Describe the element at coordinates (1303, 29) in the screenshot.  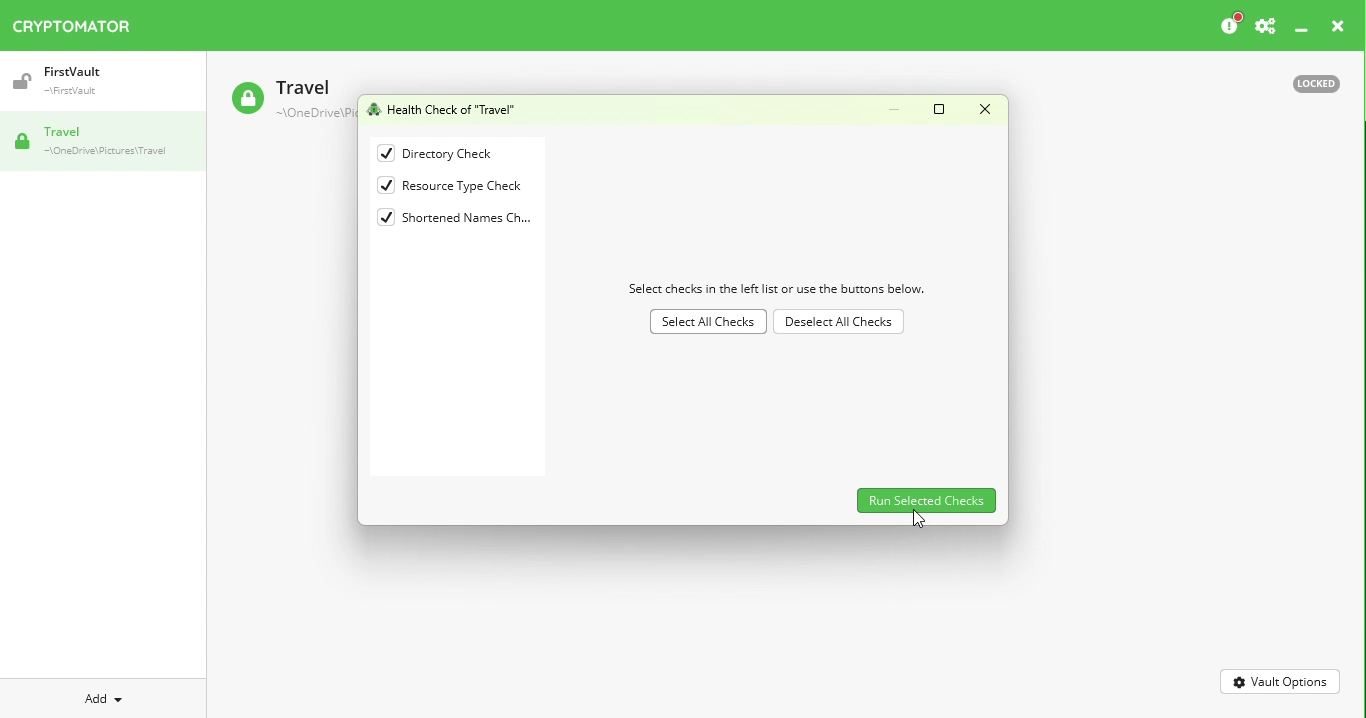
I see `Minimize` at that location.